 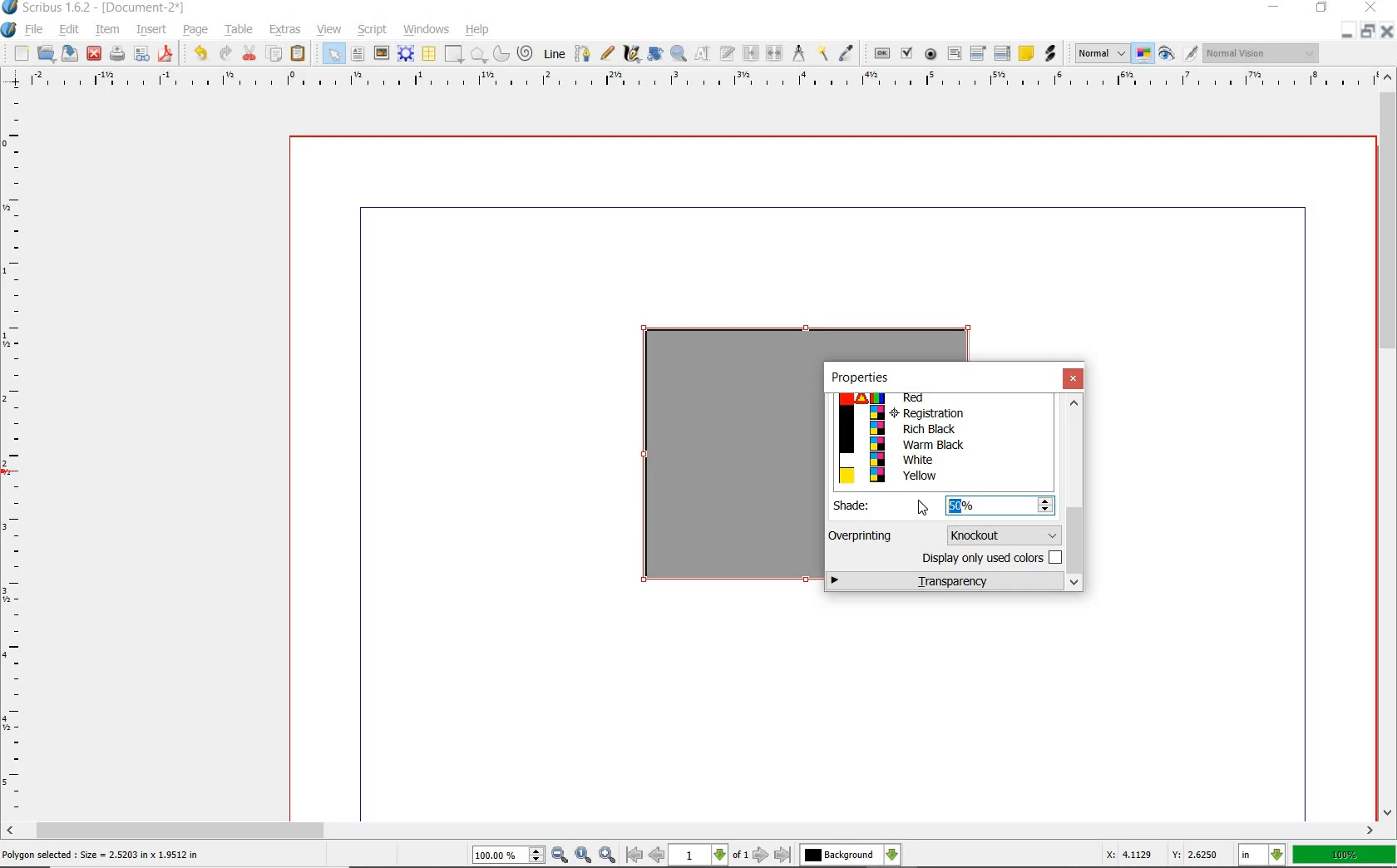 I want to click on script, so click(x=373, y=30).